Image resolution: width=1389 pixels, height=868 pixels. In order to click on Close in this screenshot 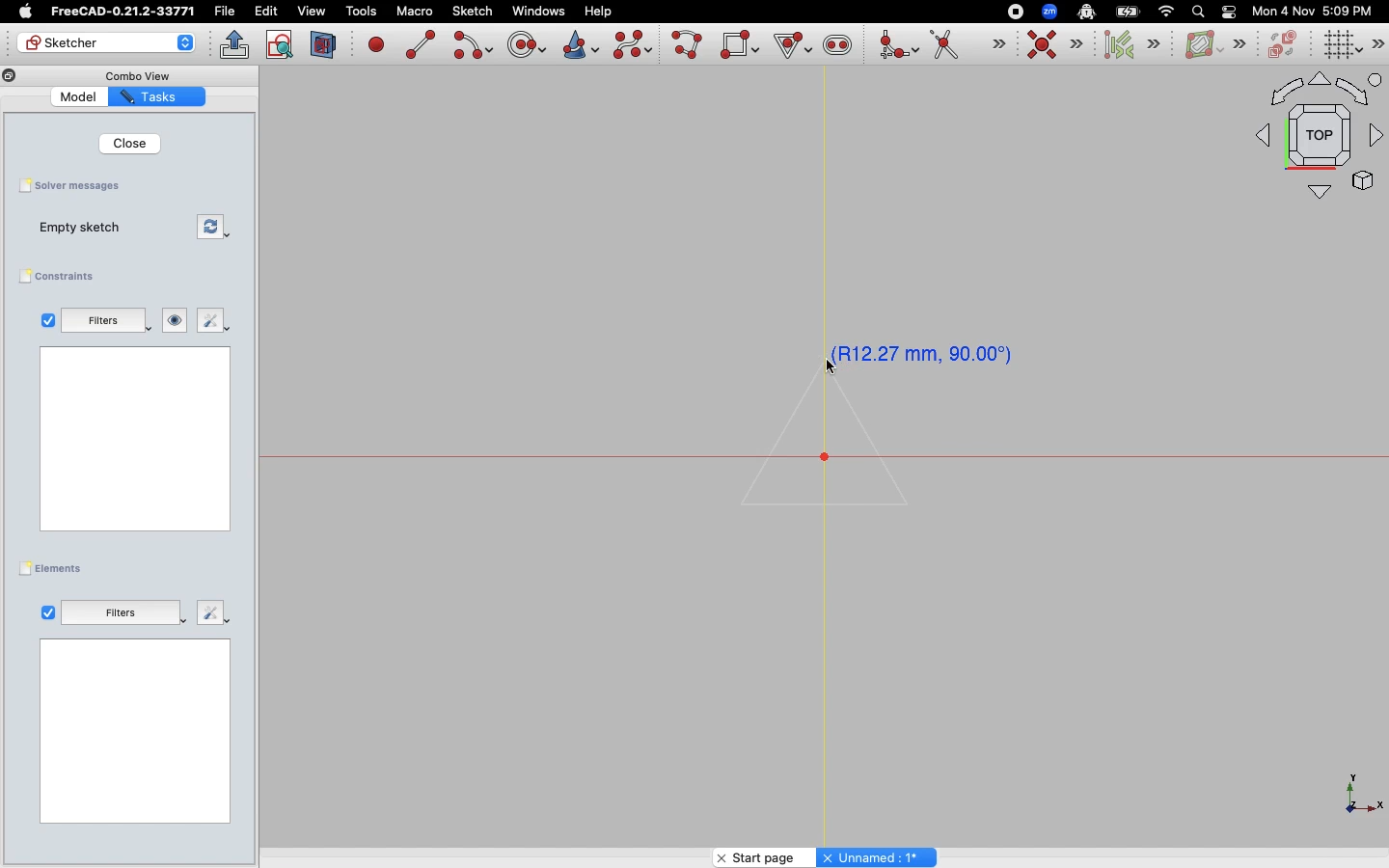, I will do `click(132, 143)`.